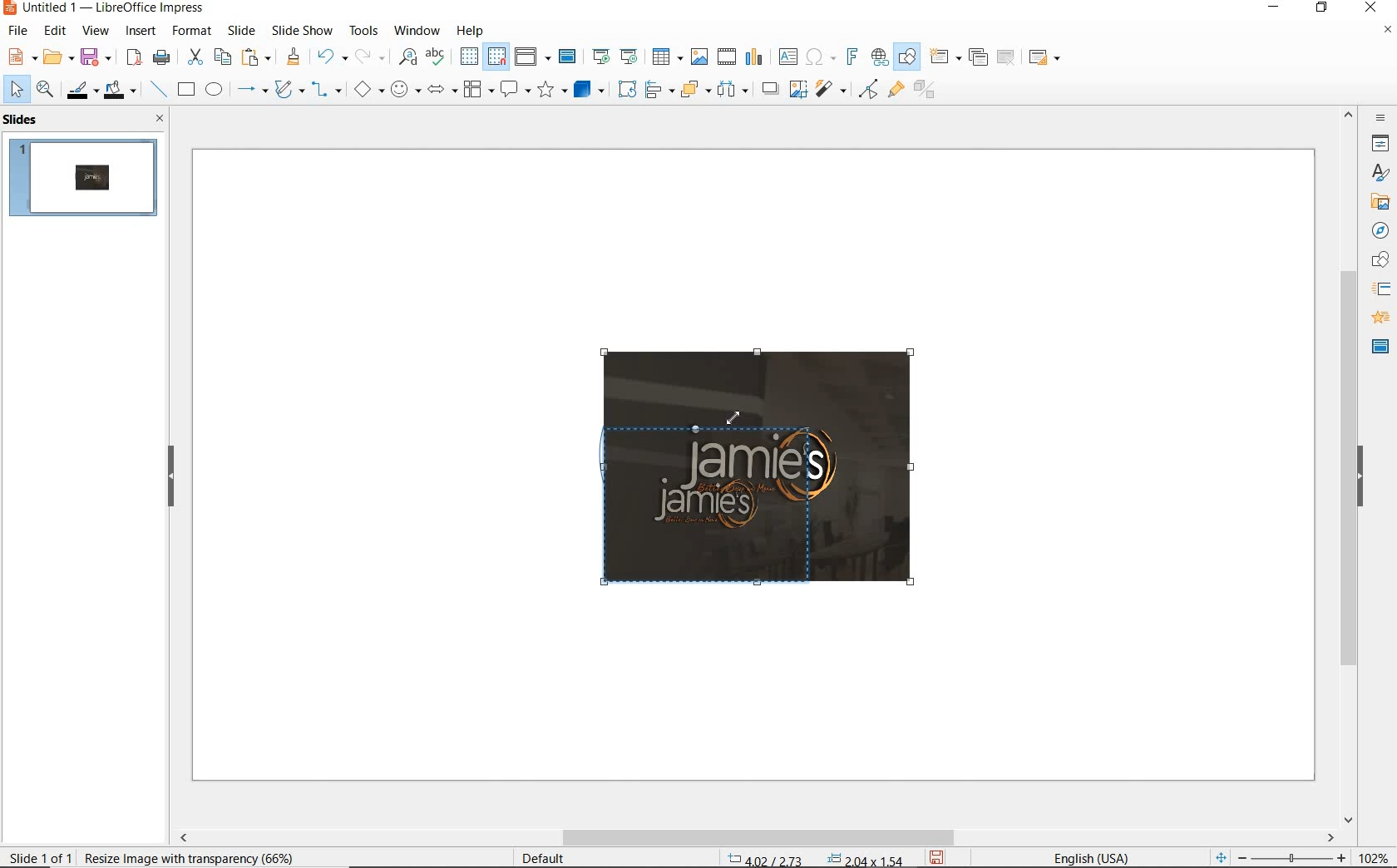  I want to click on undo, so click(329, 58).